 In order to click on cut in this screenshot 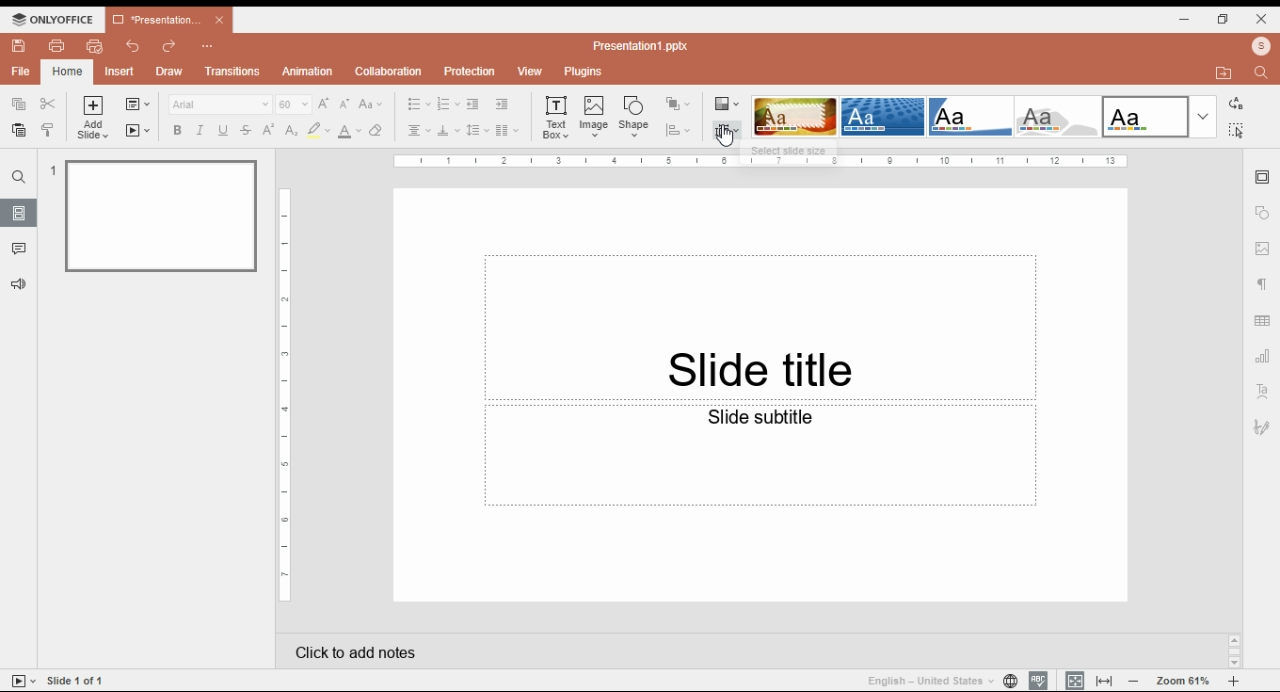, I will do `click(49, 103)`.